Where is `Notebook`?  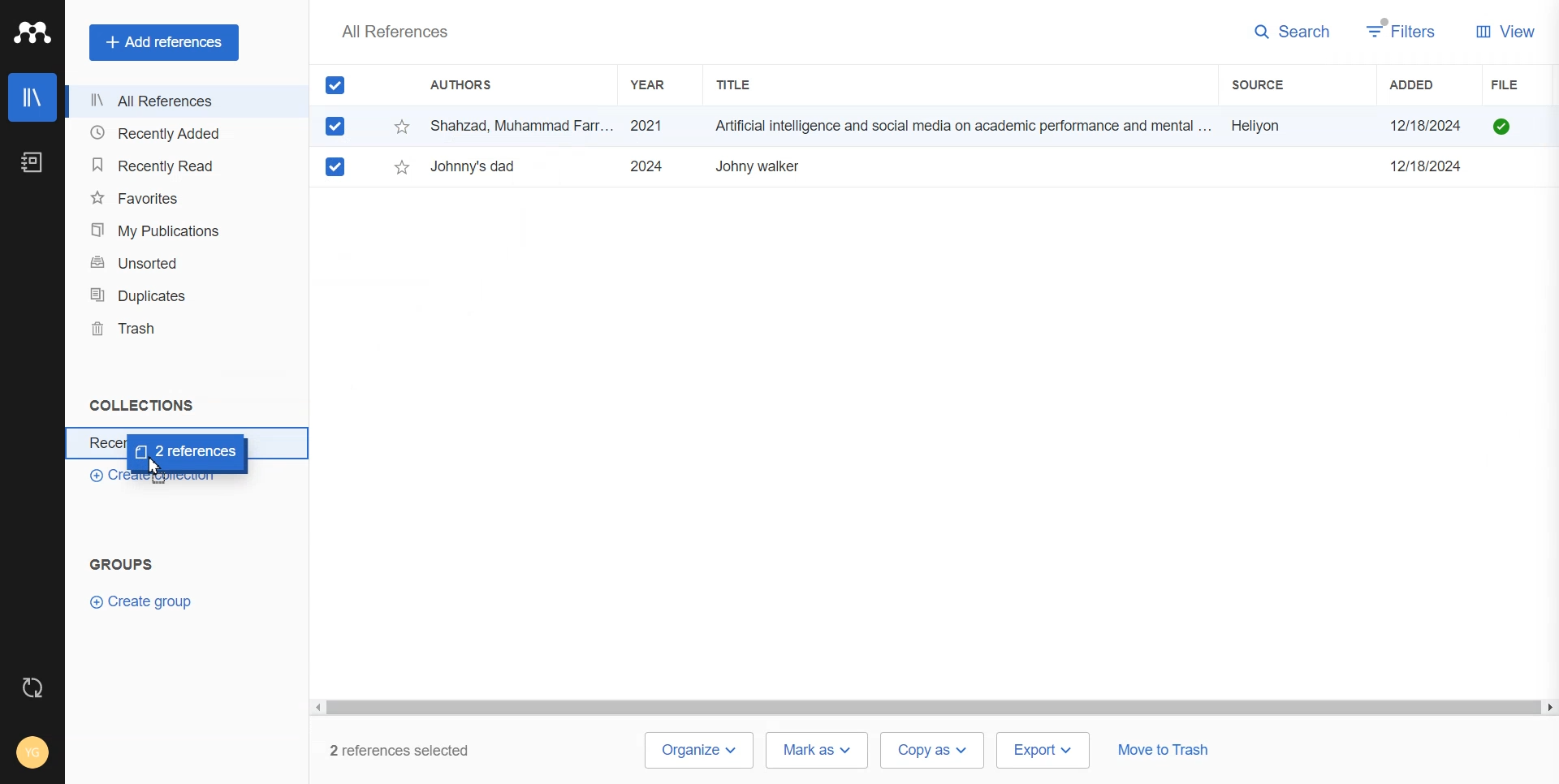
Notebook is located at coordinates (32, 162).